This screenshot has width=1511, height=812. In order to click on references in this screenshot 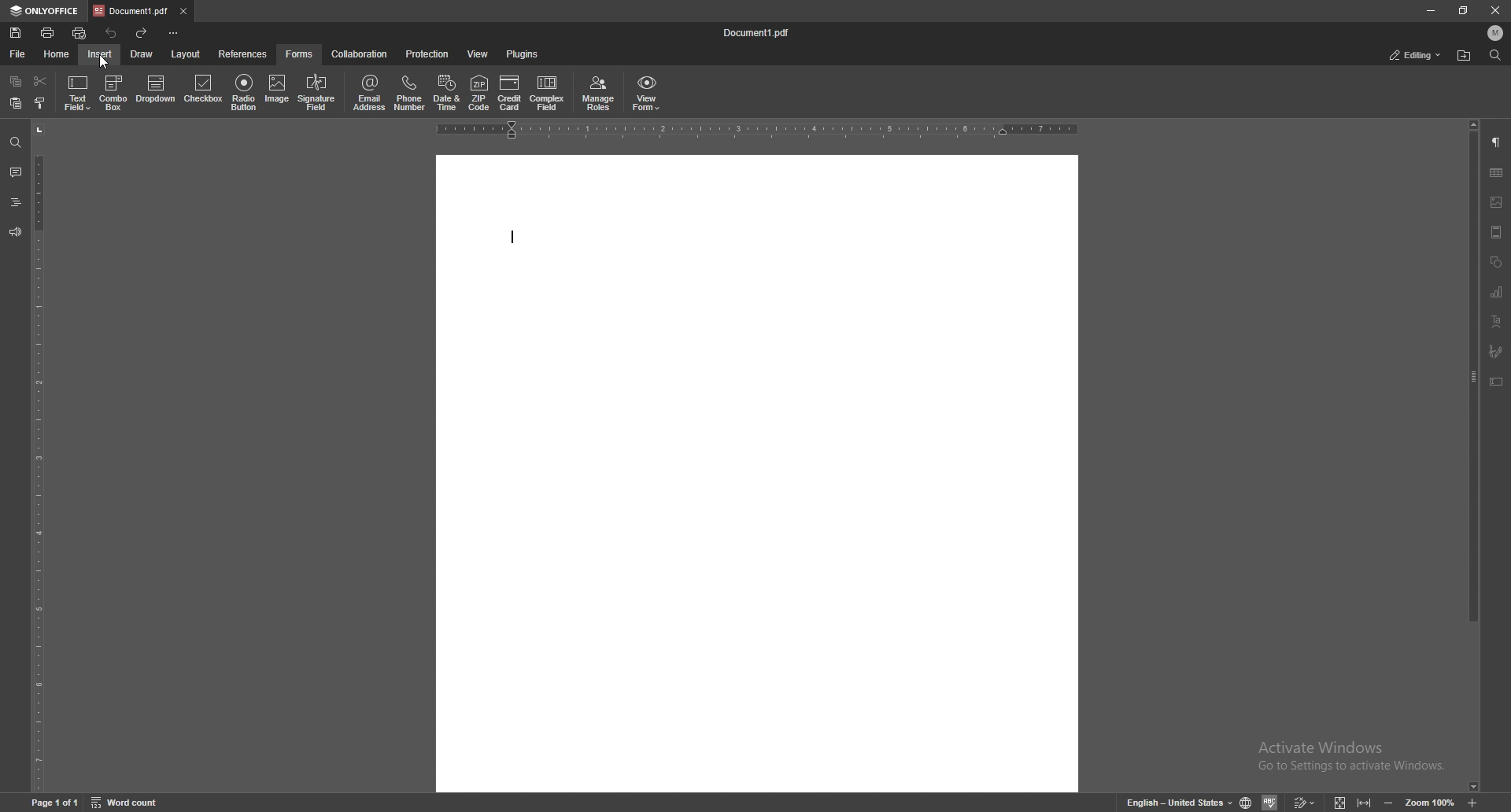, I will do `click(242, 54)`.